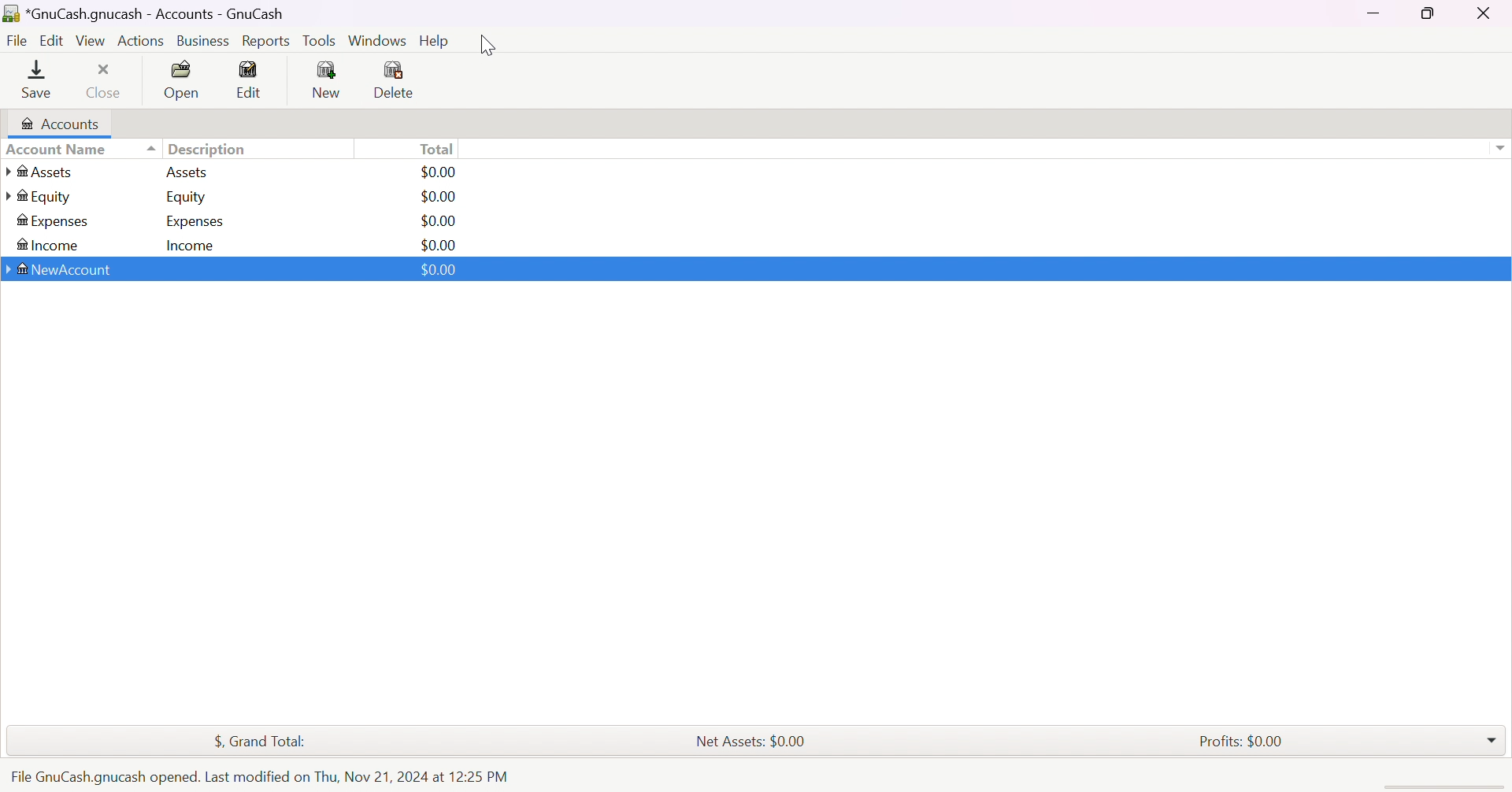 The image size is (1512, 792). Describe the element at coordinates (1494, 741) in the screenshot. I see `Drop Down` at that location.